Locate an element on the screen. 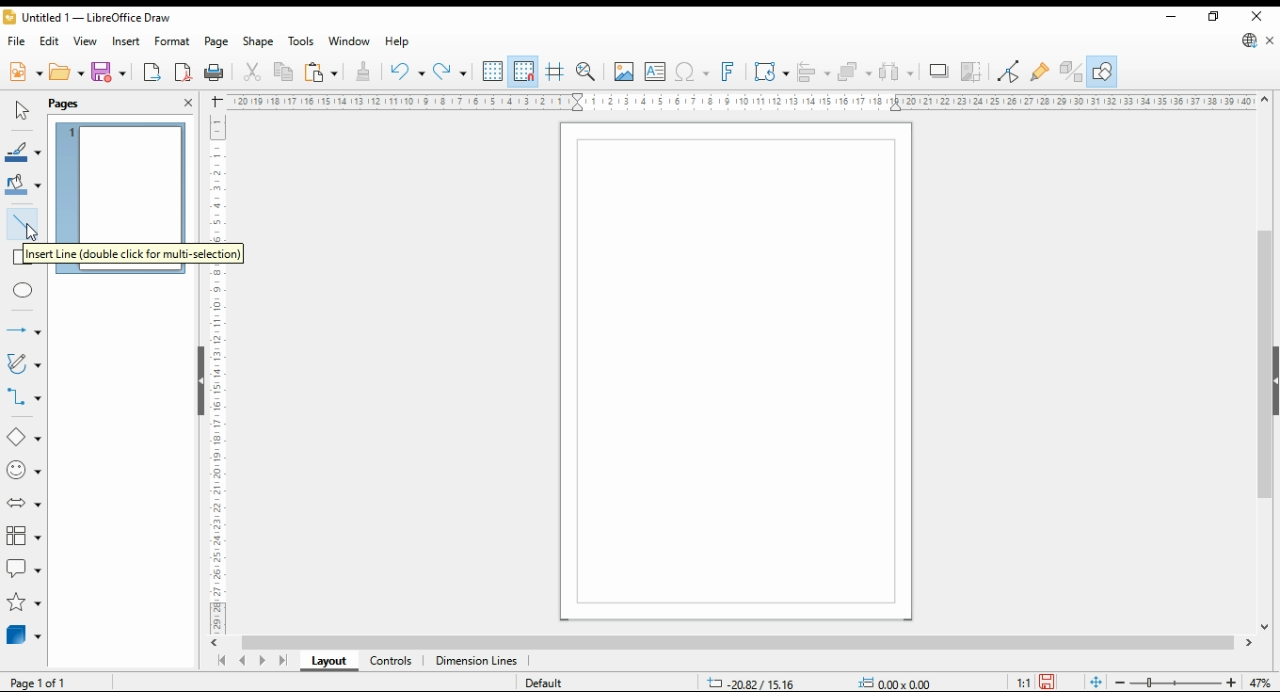 The height and width of the screenshot is (692, 1280). dimension is located at coordinates (477, 662).